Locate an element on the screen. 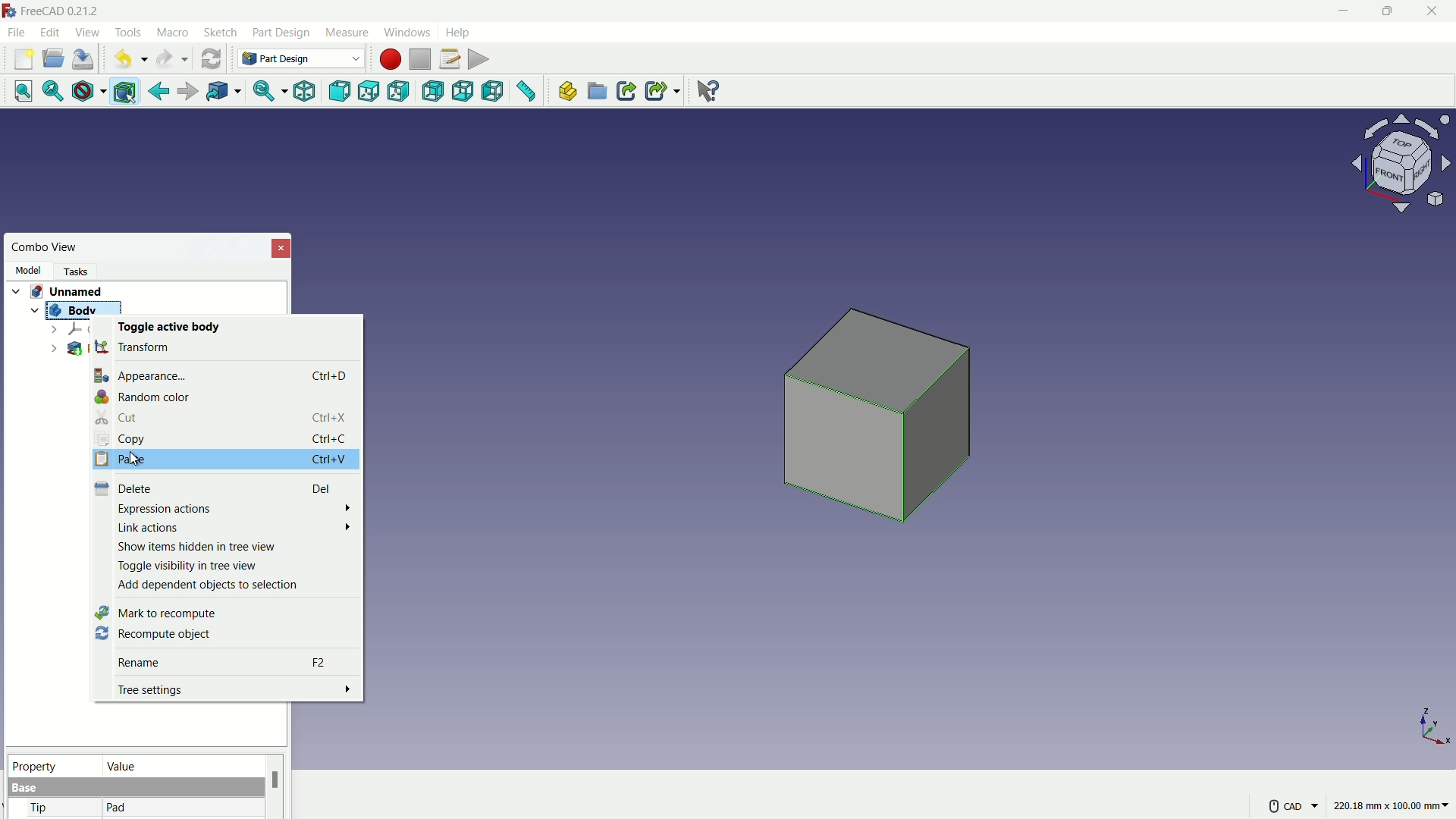 The height and width of the screenshot is (819, 1456). scroll bar is located at coordinates (275, 786).